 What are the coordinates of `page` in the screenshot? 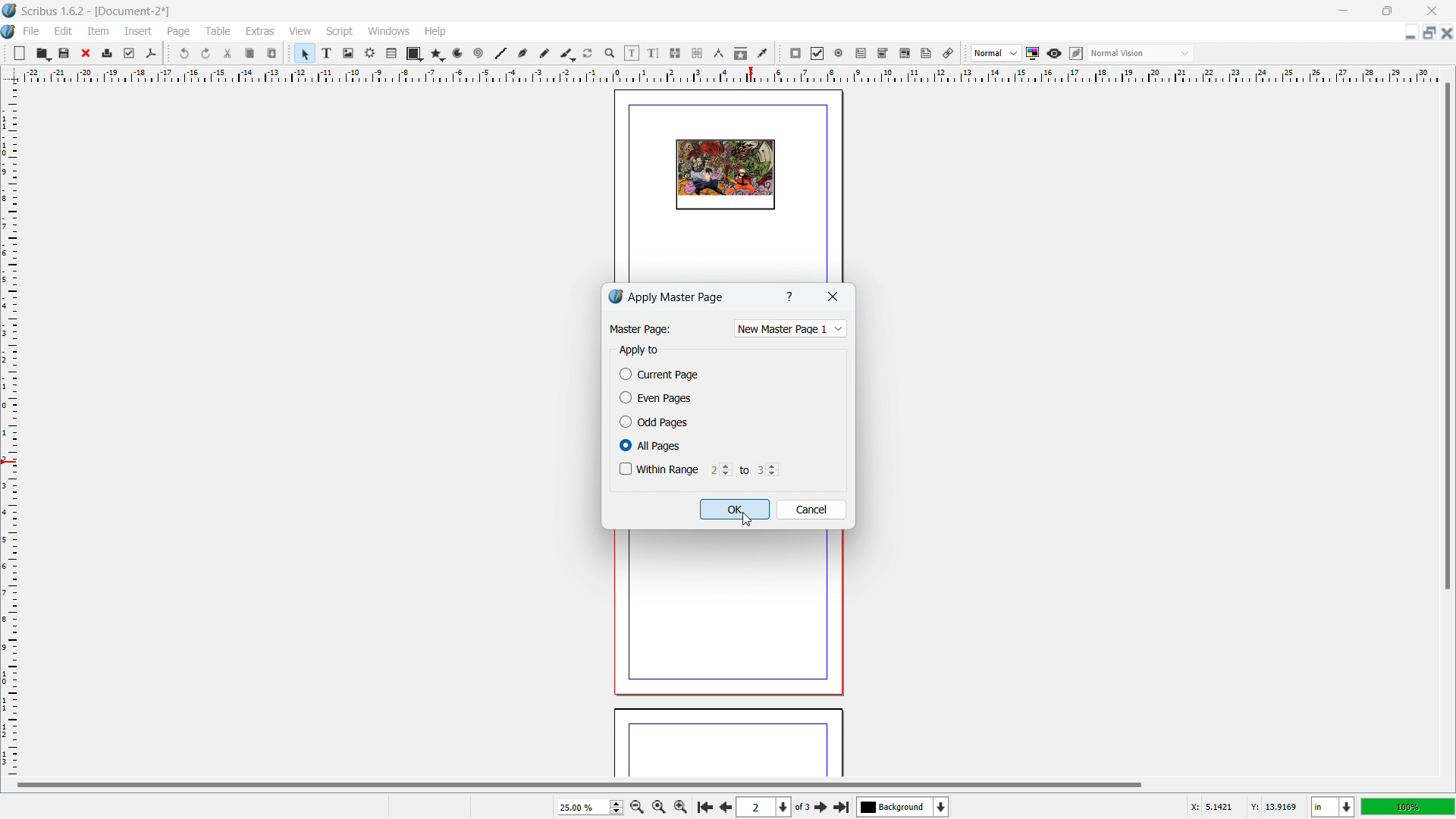 It's located at (180, 32).